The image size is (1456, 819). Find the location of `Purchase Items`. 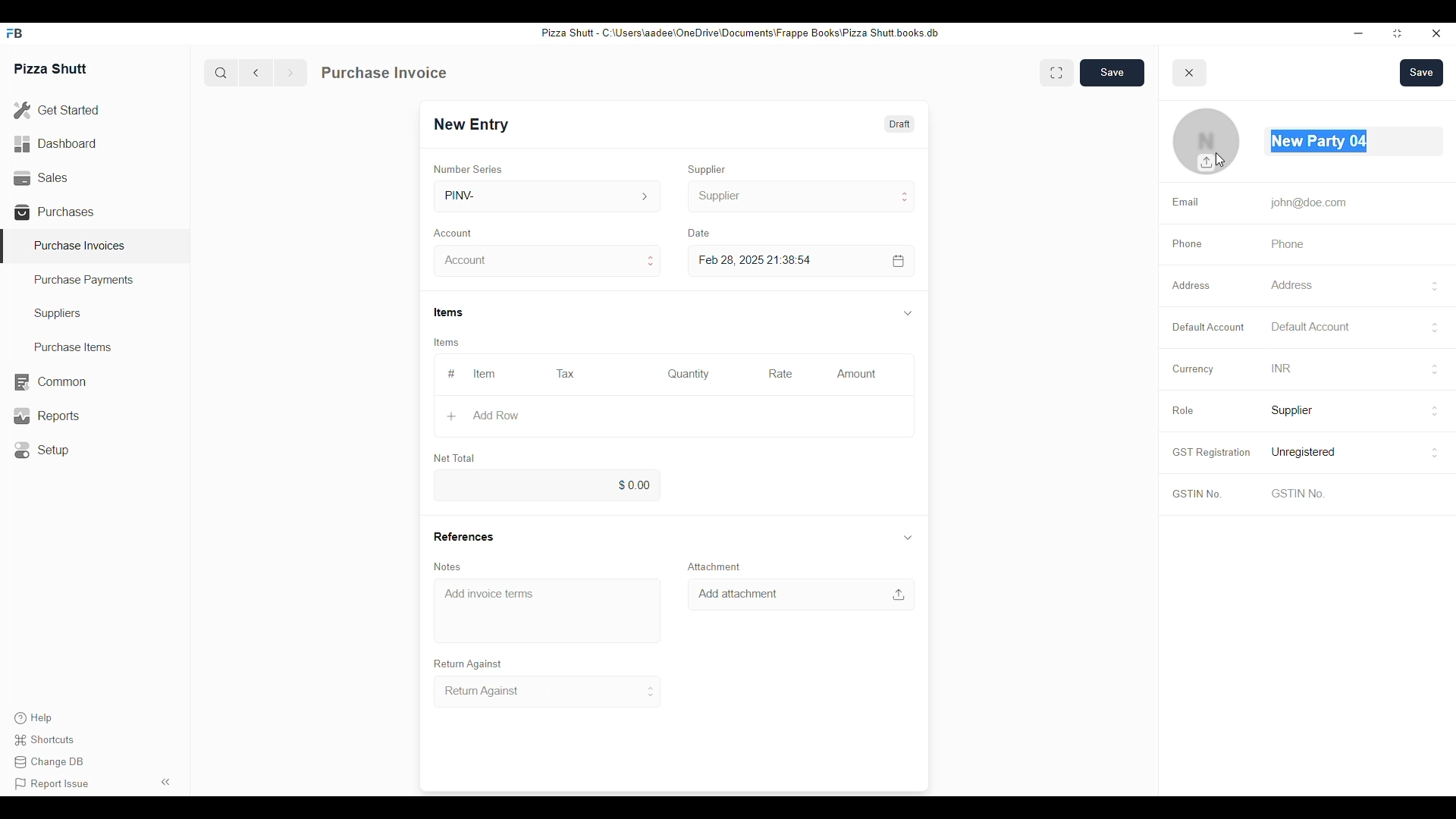

Purchase Items is located at coordinates (67, 347).